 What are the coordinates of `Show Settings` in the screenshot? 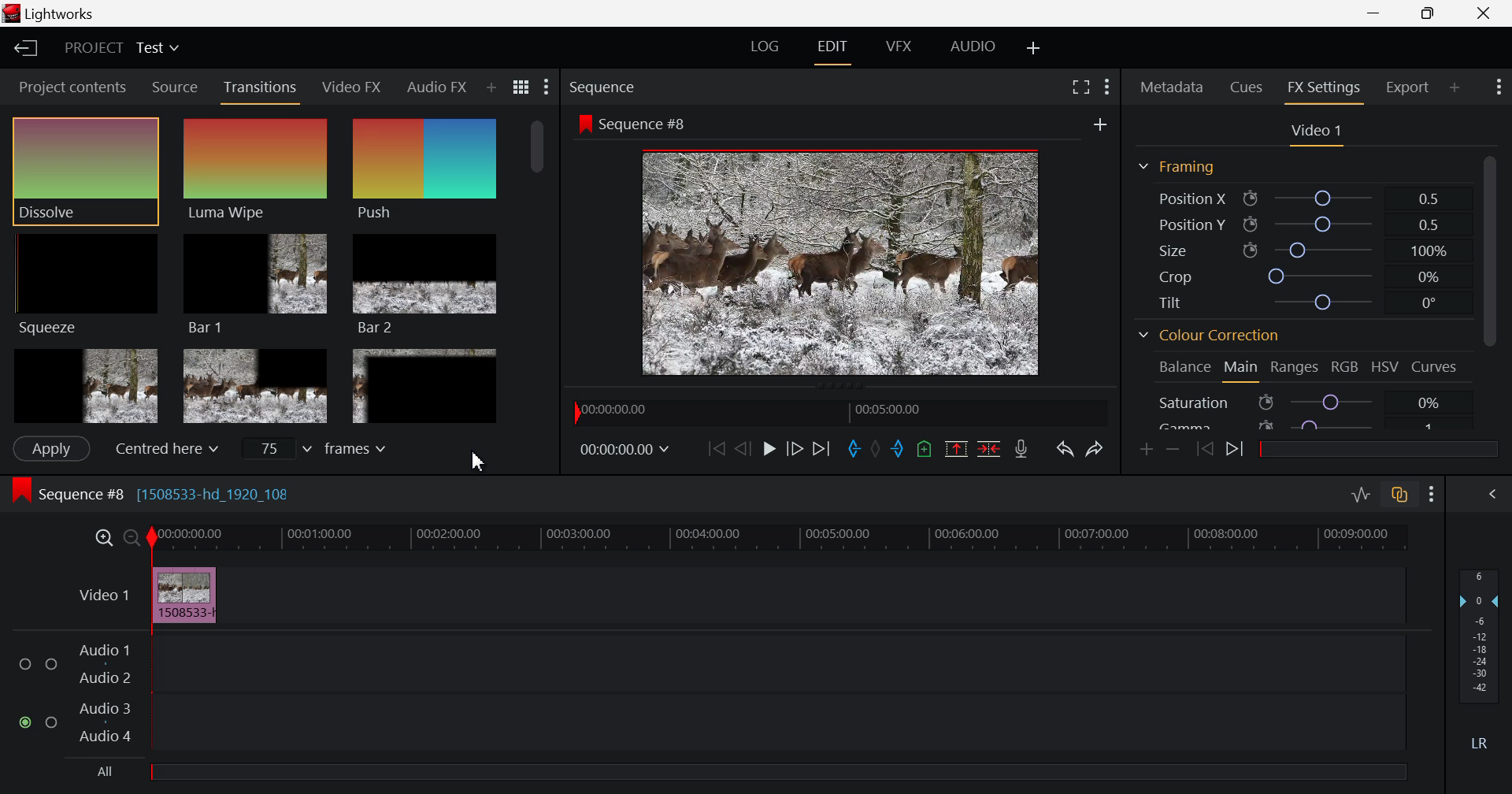 It's located at (1498, 87).